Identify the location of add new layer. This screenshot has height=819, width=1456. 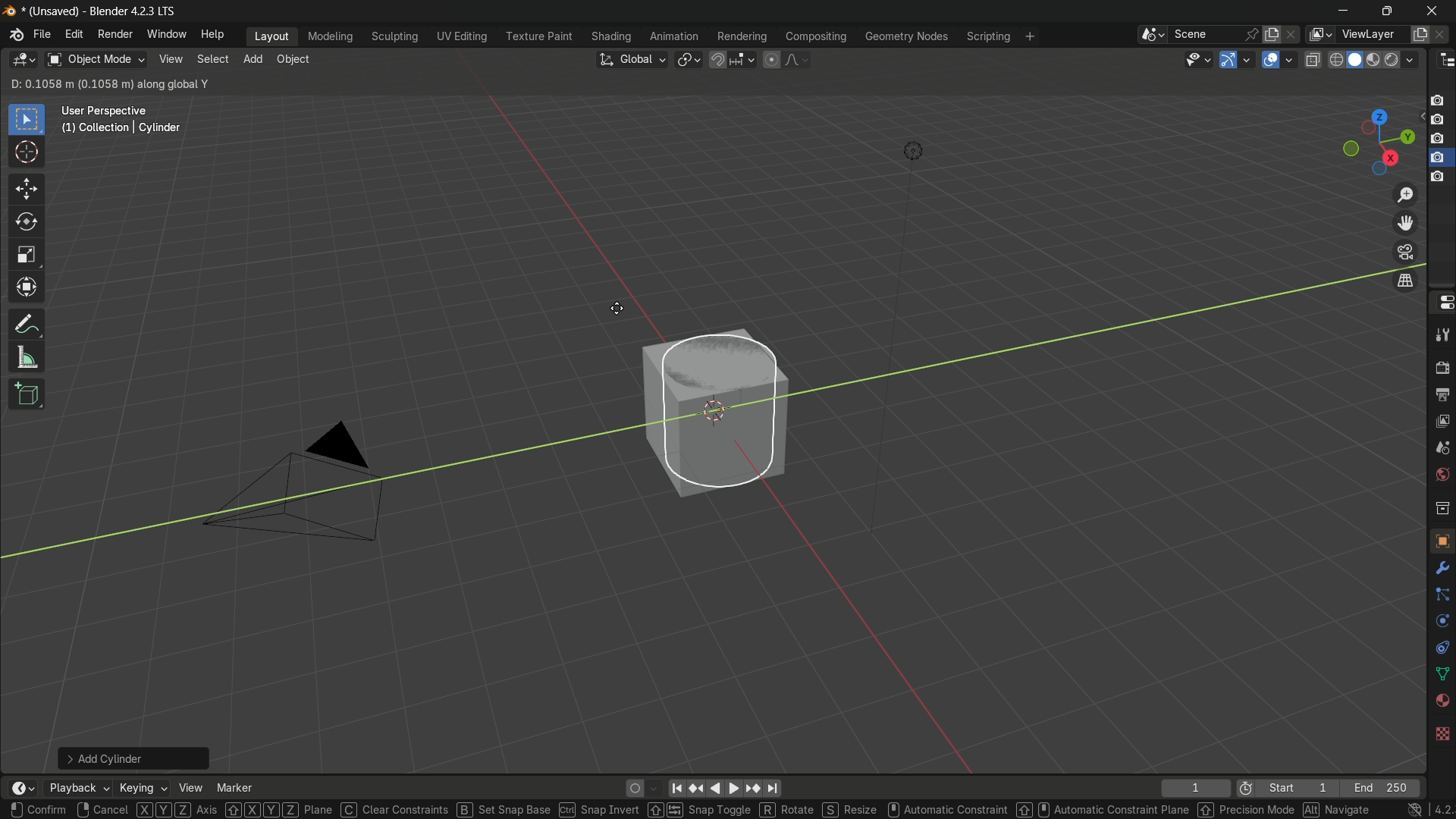
(1420, 36).